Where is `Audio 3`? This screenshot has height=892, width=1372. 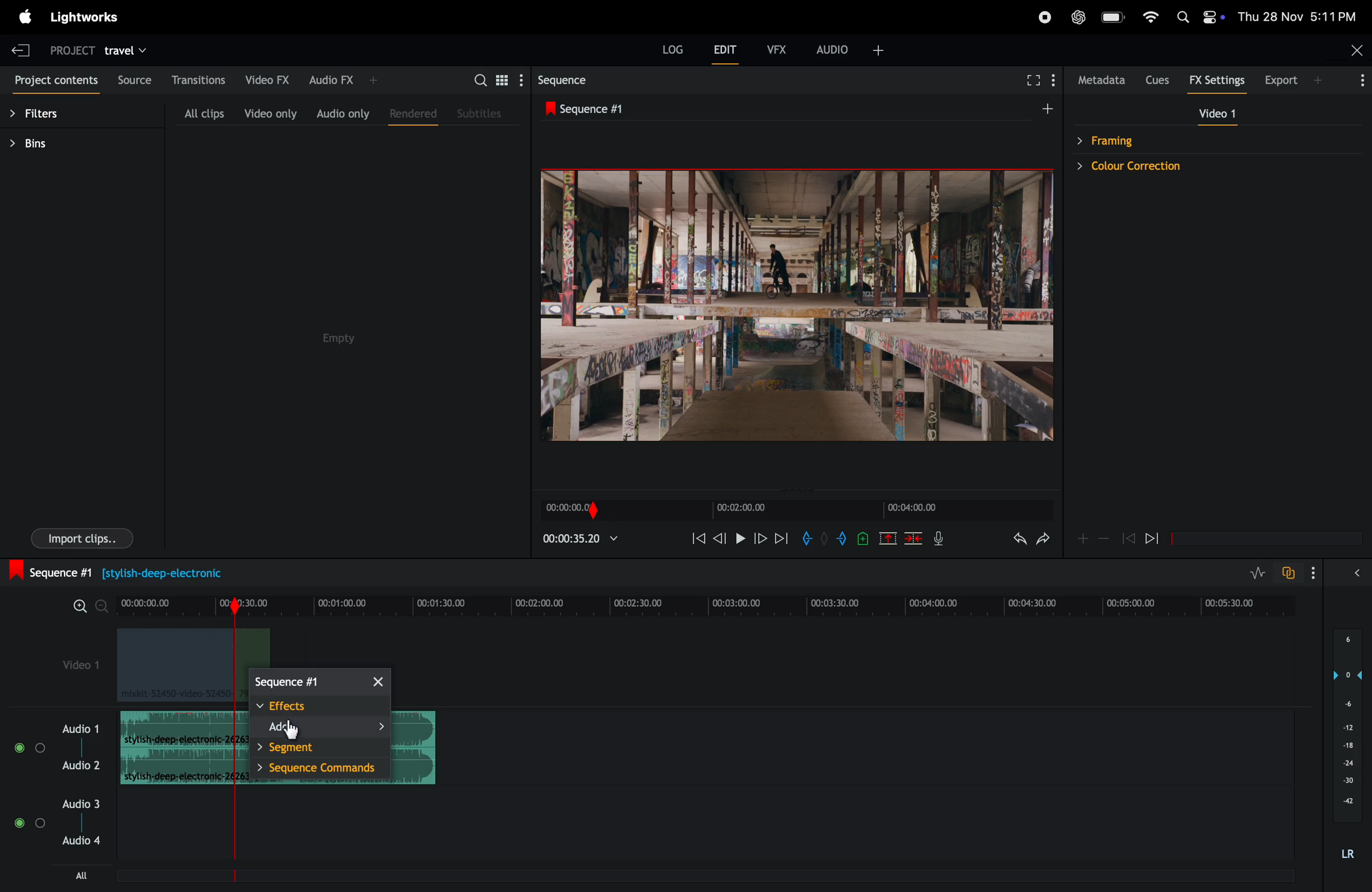 Audio 3 is located at coordinates (80, 804).